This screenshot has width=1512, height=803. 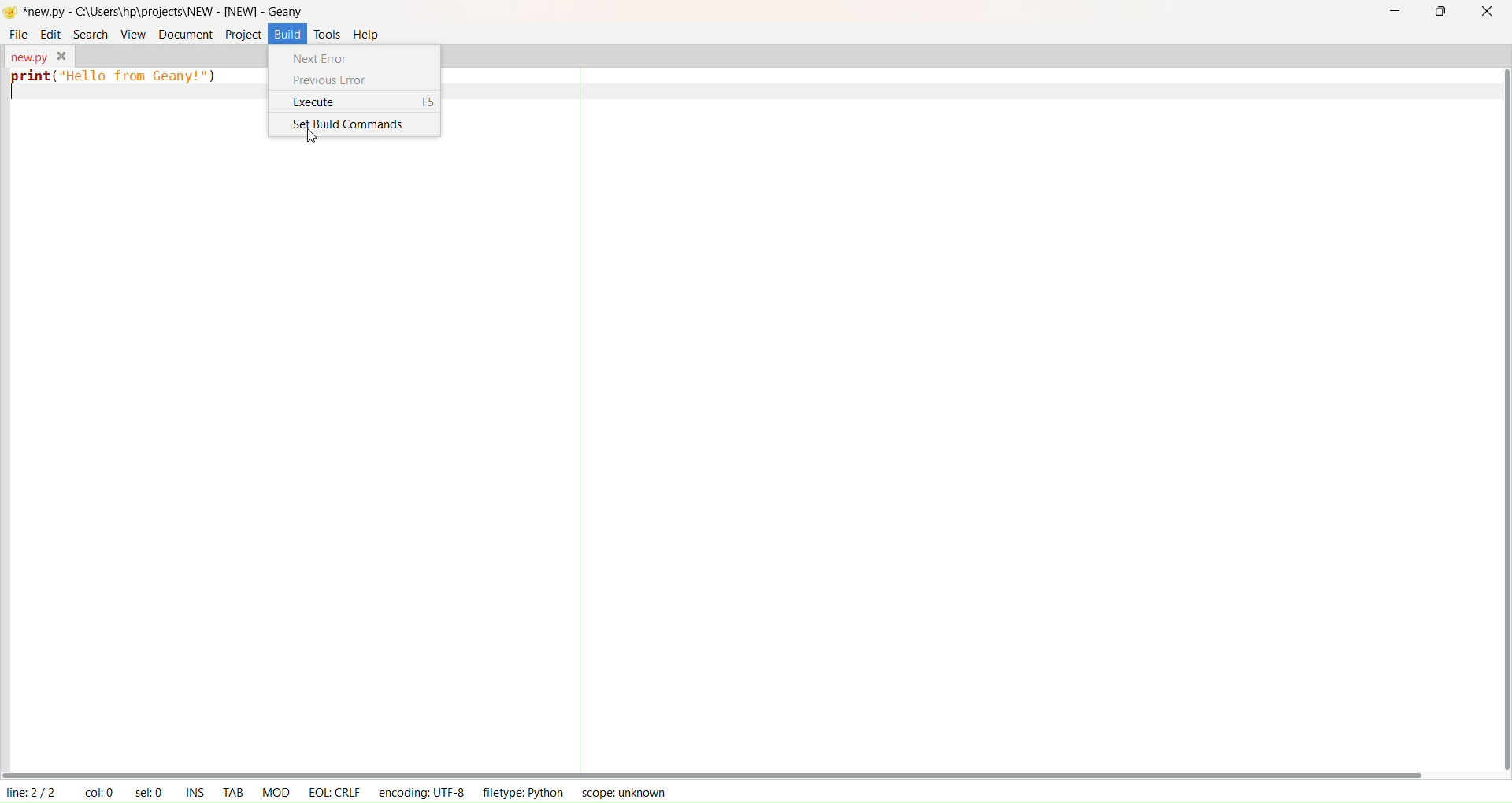 What do you see at coordinates (183, 33) in the screenshot?
I see `document` at bounding box center [183, 33].